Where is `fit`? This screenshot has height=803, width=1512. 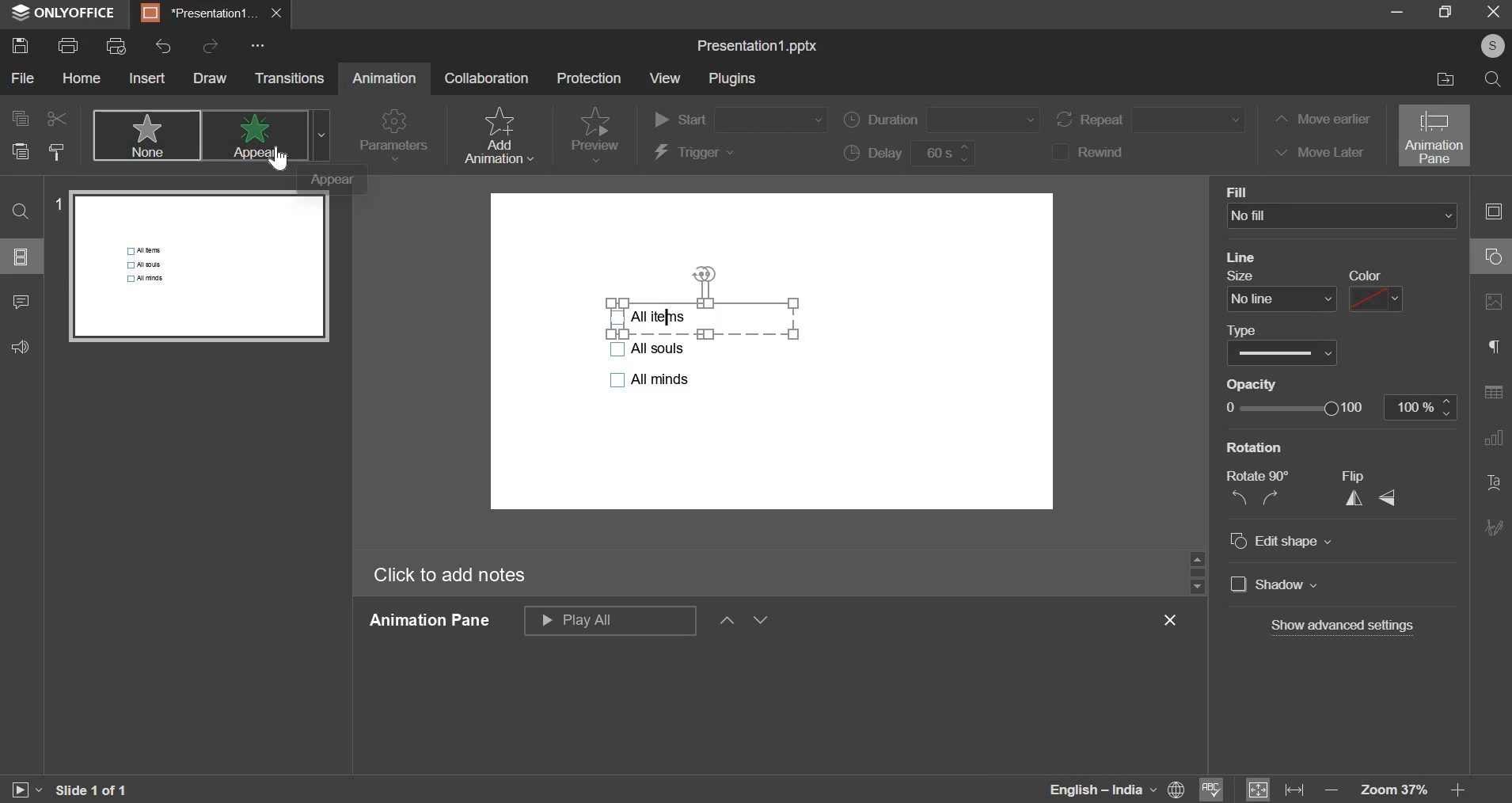 fit is located at coordinates (1275, 788).